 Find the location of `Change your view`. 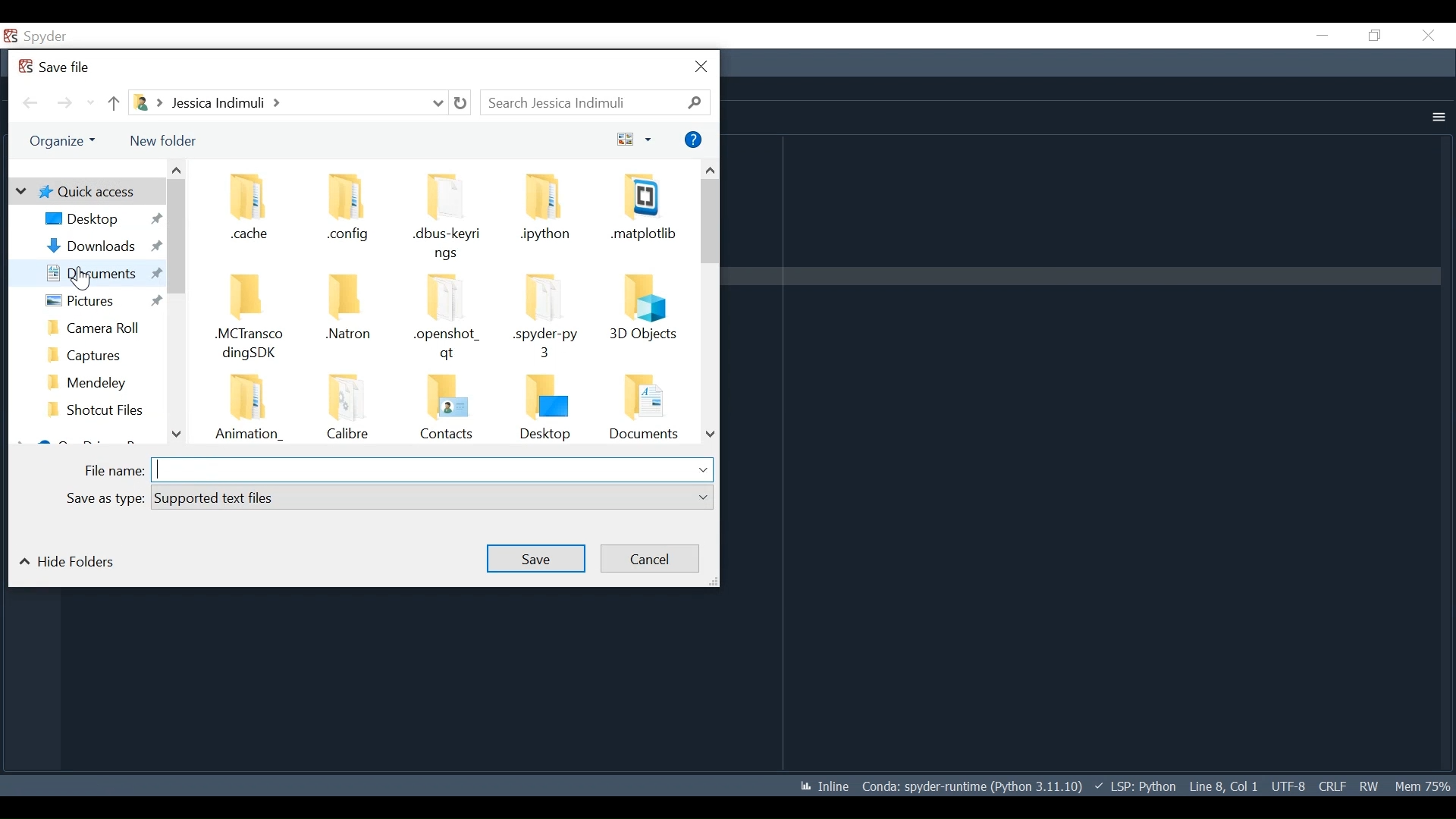

Change your view is located at coordinates (635, 140).